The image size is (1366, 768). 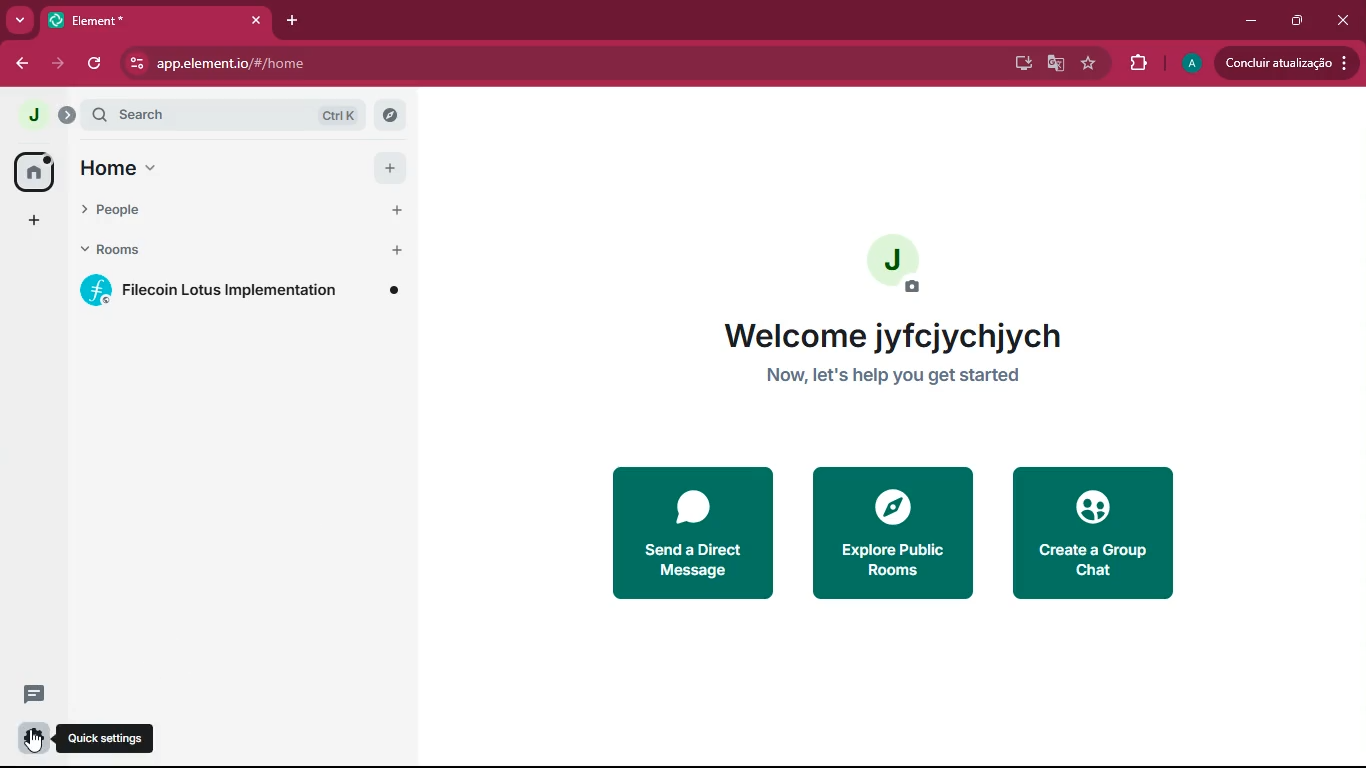 What do you see at coordinates (1137, 66) in the screenshot?
I see `extensions` at bounding box center [1137, 66].